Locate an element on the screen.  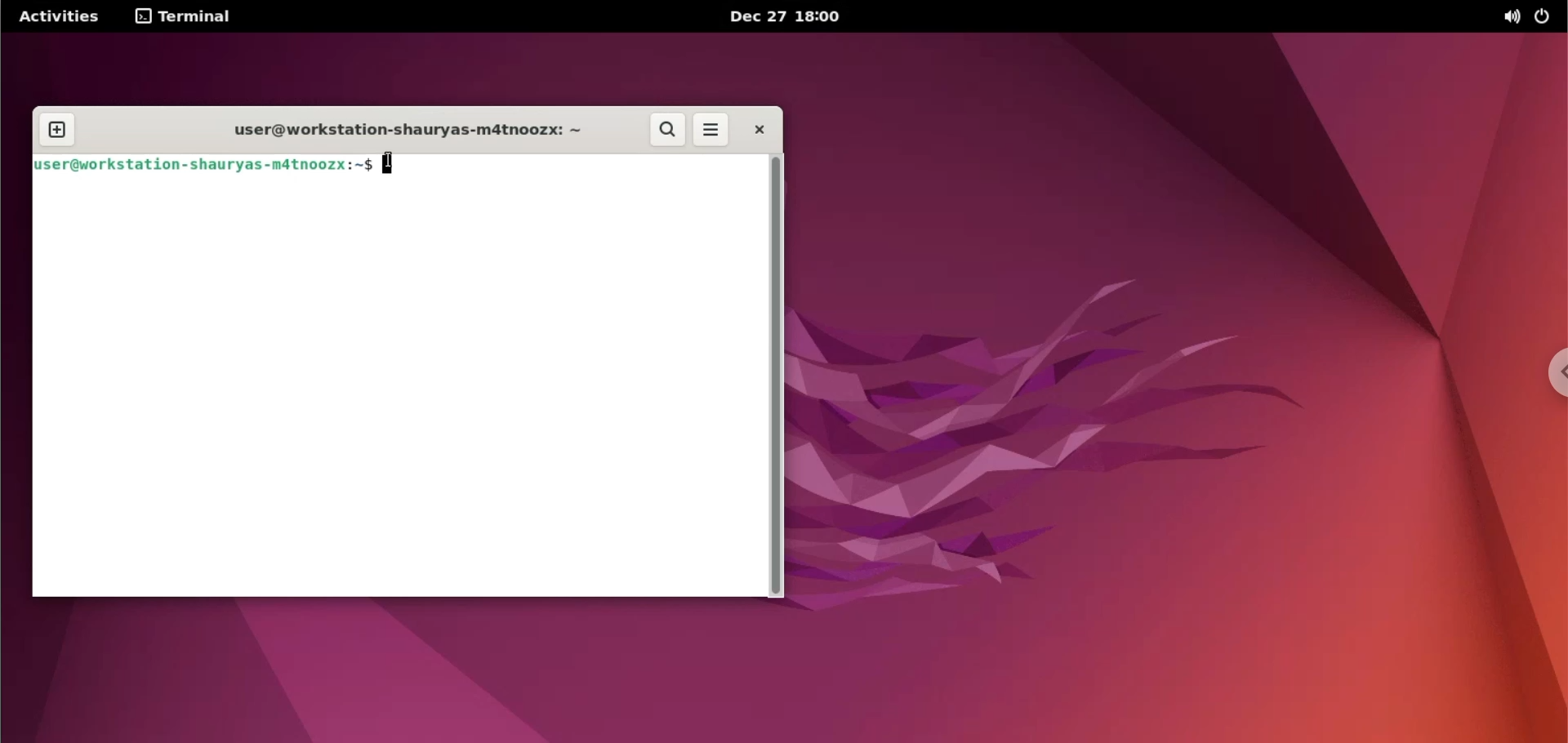
 user@workstation-shauryas-m4tnoozx: ~ is located at coordinates (394, 132).